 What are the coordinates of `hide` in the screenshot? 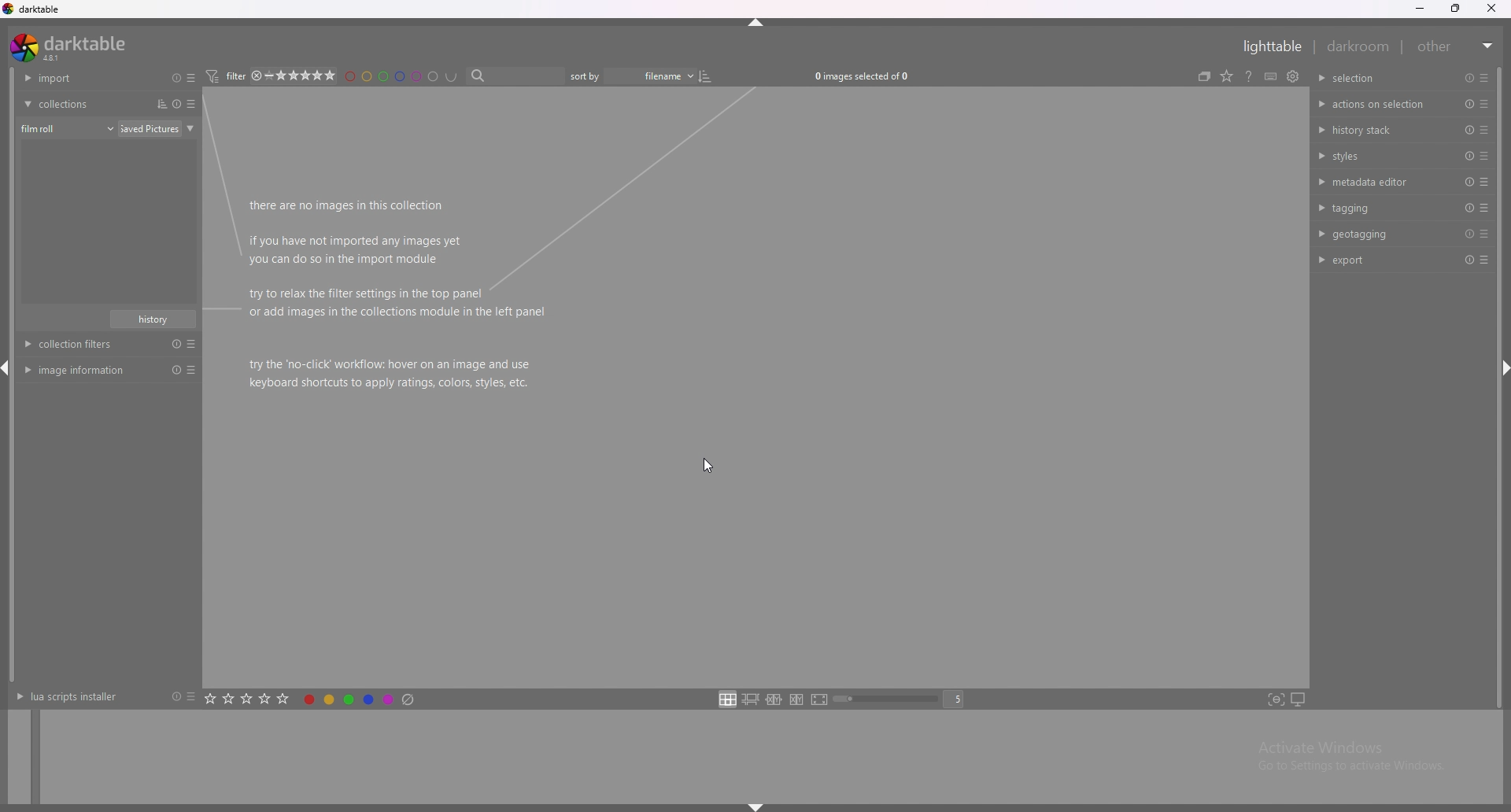 It's located at (755, 25).